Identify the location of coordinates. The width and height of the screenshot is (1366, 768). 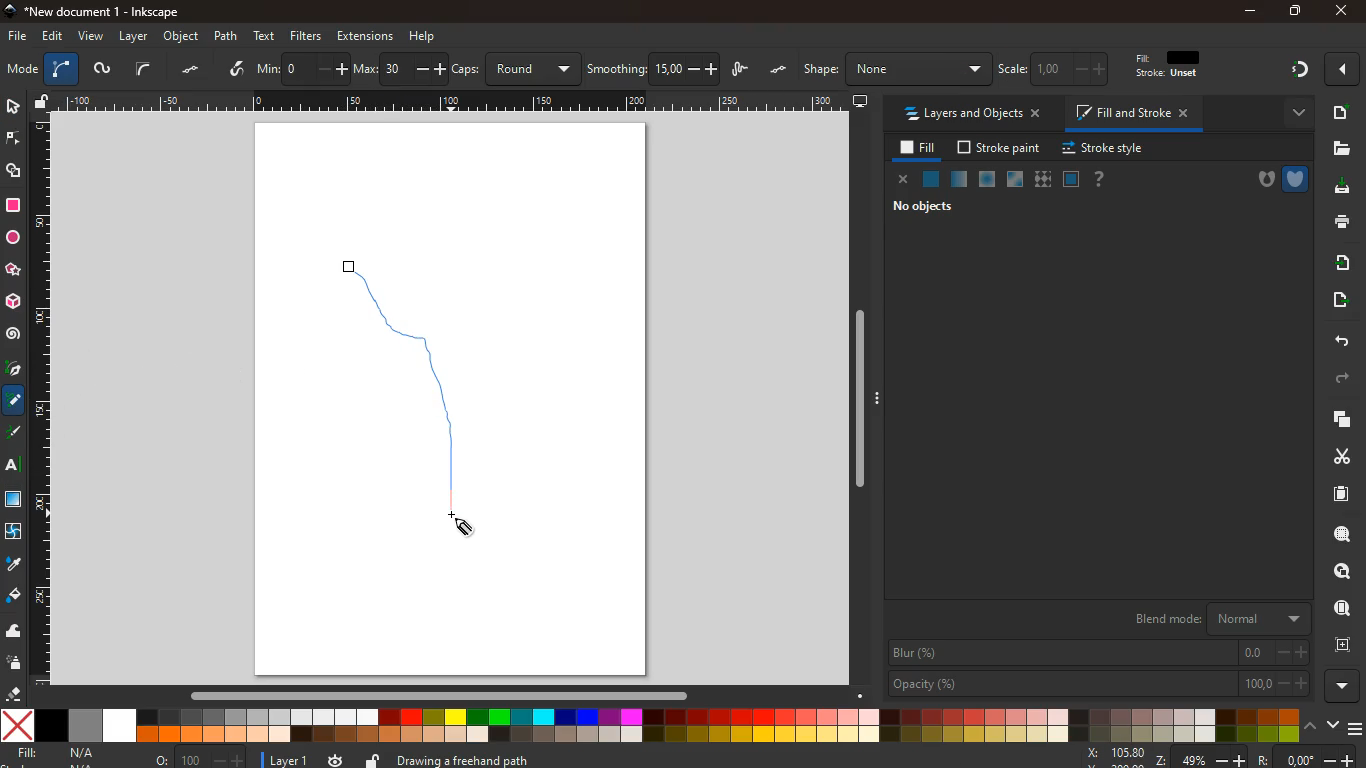
(1218, 757).